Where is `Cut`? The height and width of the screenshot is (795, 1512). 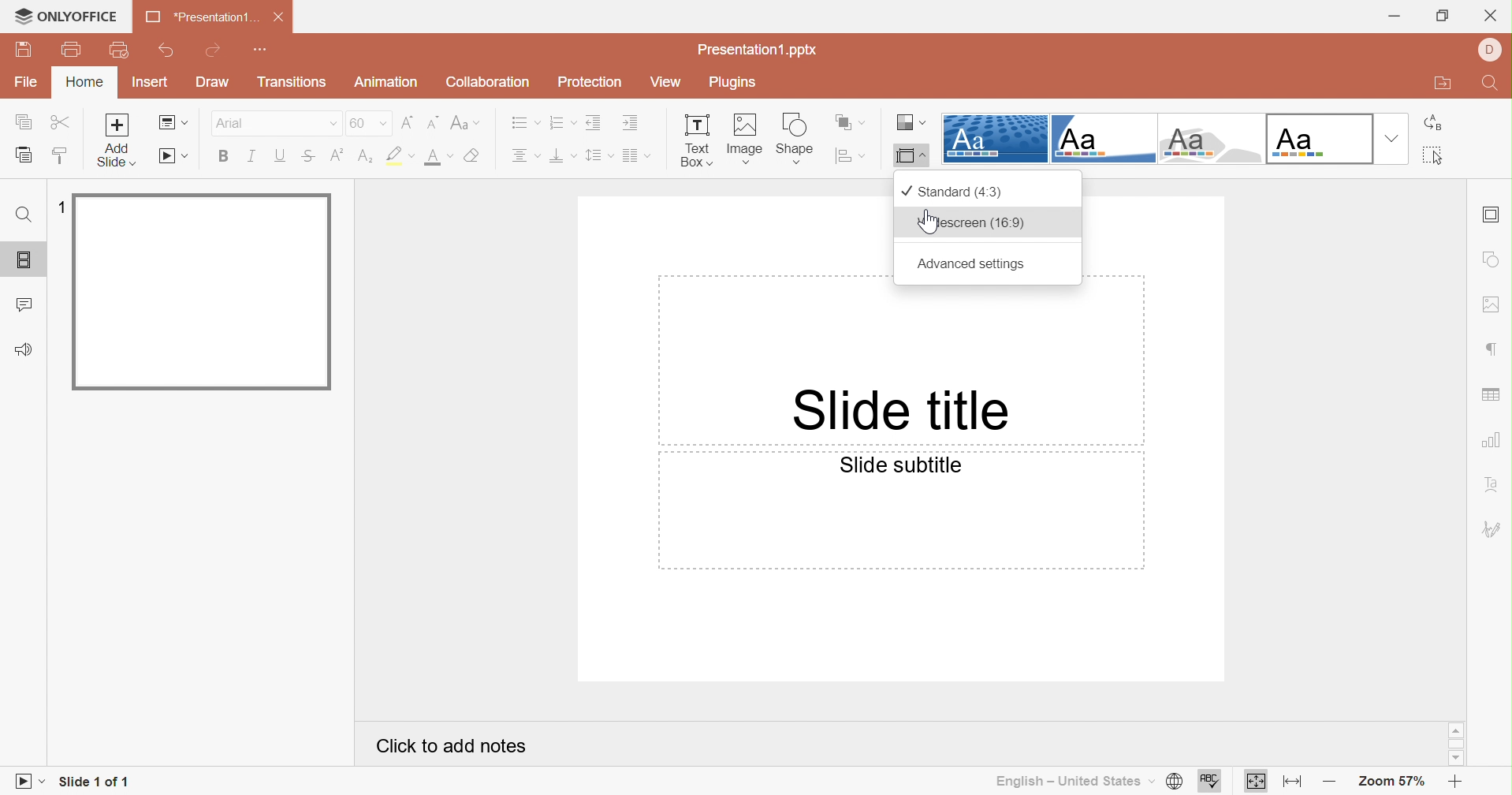
Cut is located at coordinates (58, 121).